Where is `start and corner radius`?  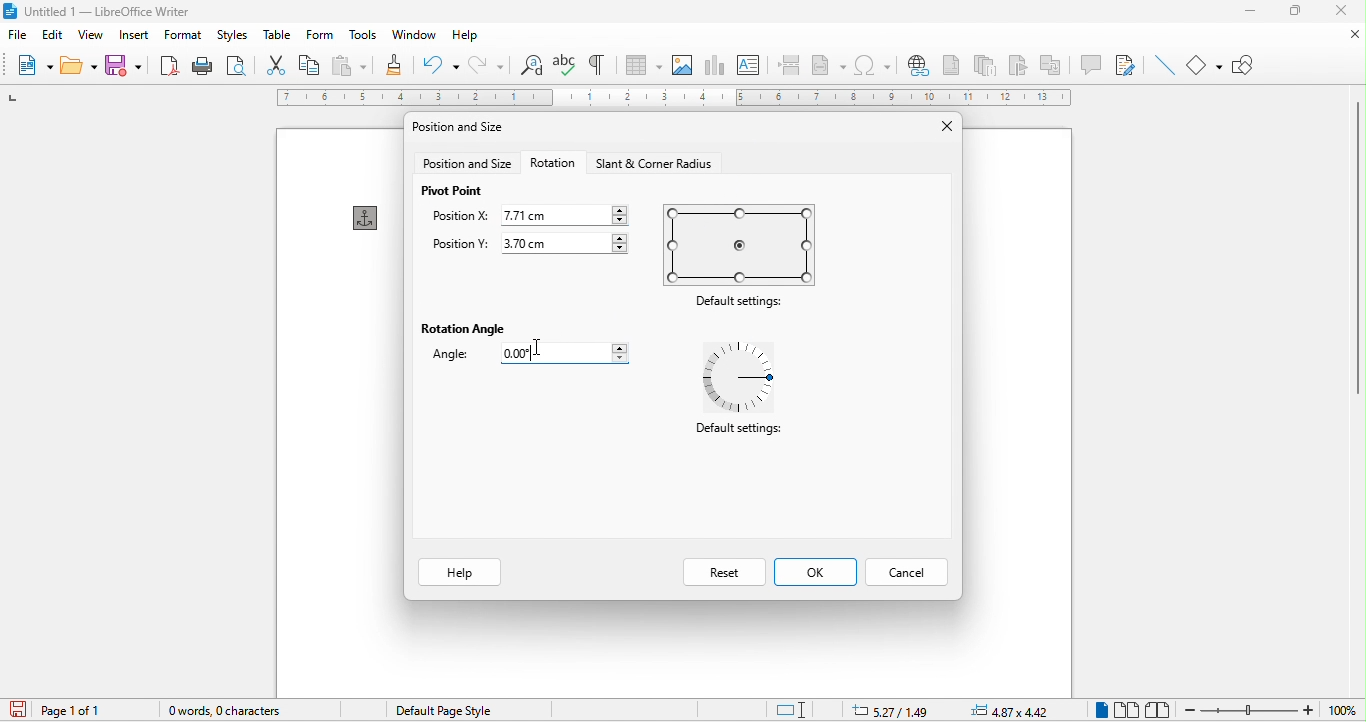 start and corner radius is located at coordinates (657, 160).